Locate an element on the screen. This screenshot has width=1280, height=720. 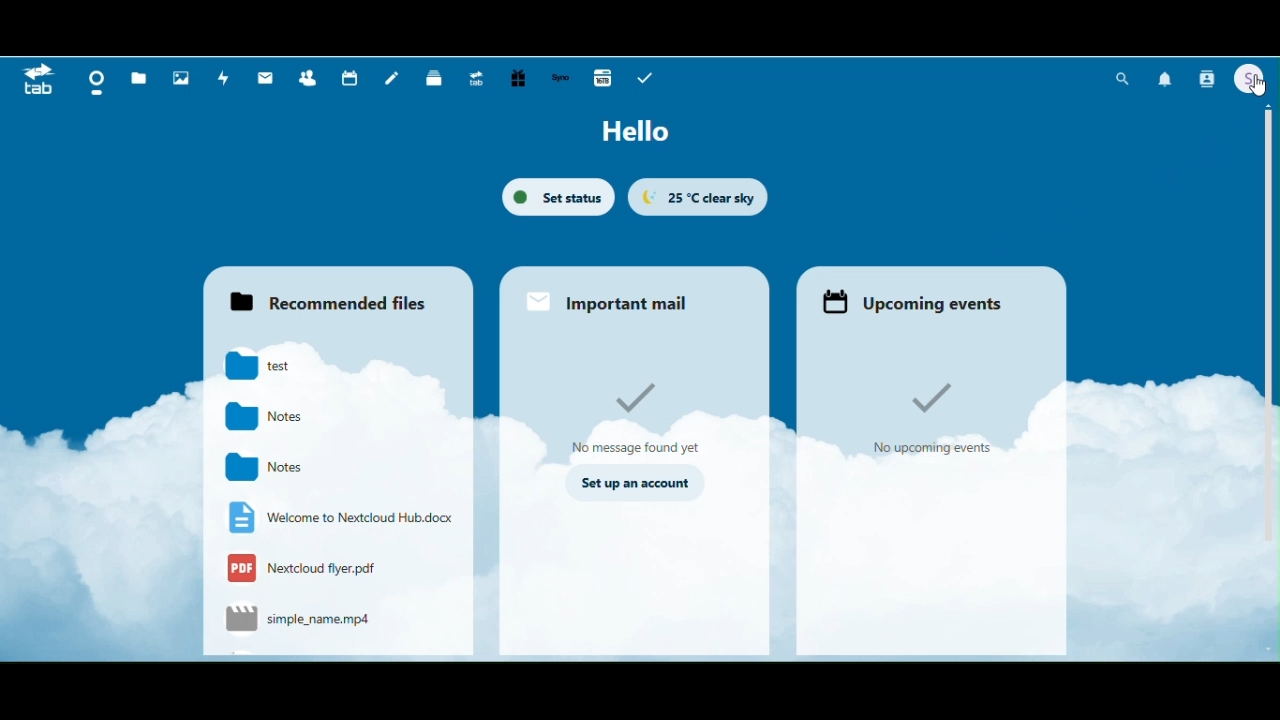
Upgrade is located at coordinates (480, 79).